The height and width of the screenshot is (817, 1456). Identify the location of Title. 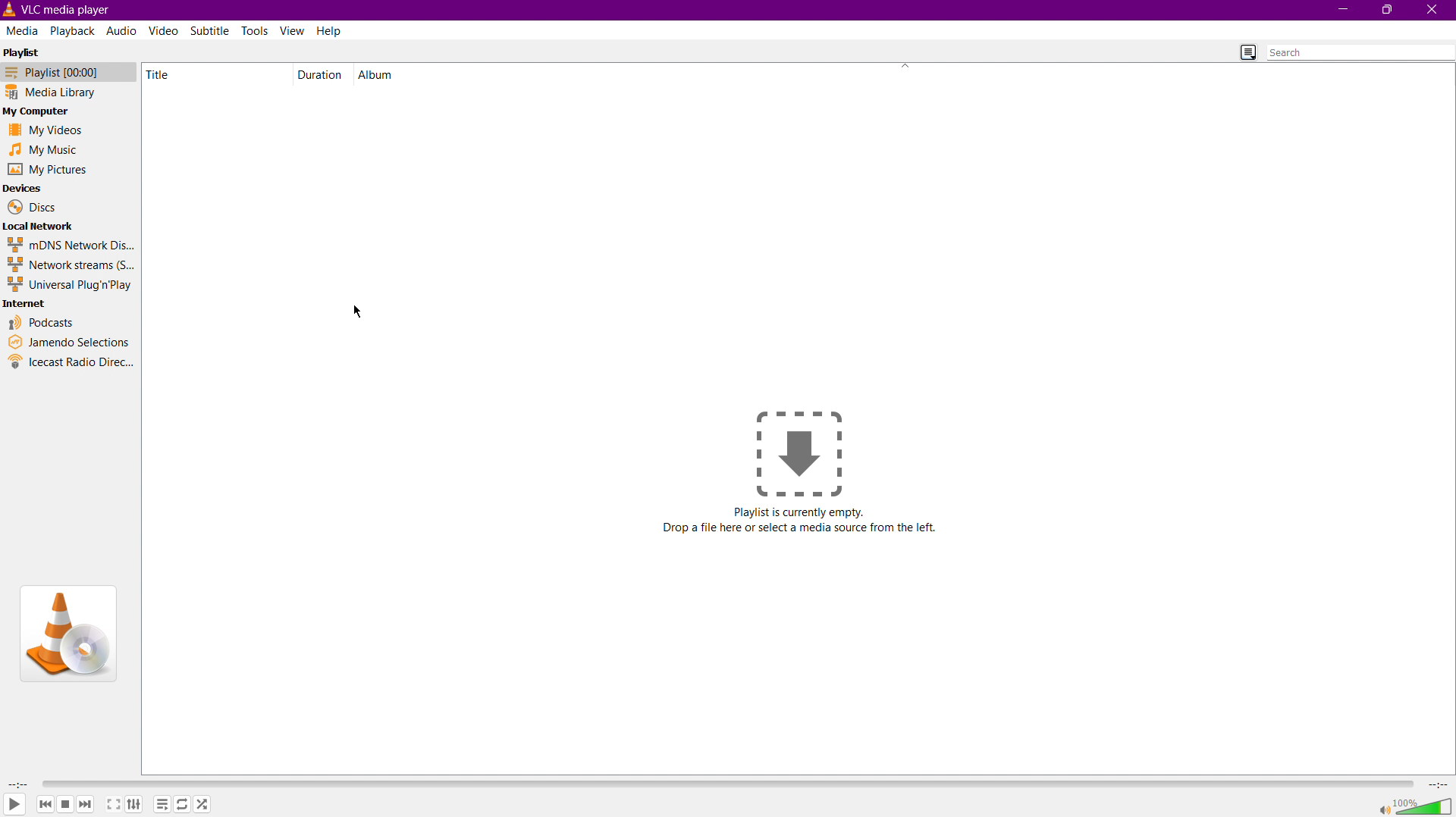
(162, 74).